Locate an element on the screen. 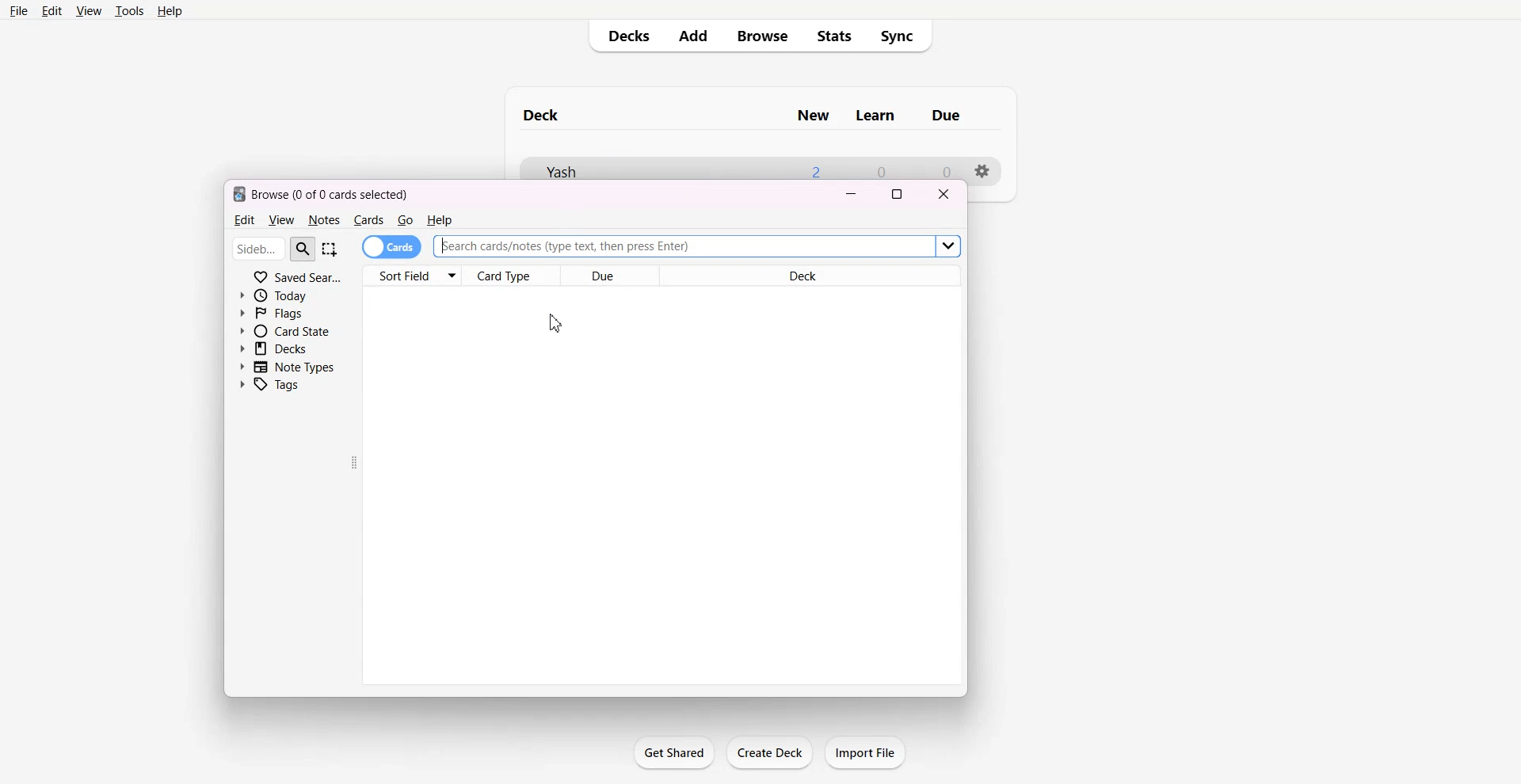 Image resolution: width=1521 pixels, height=784 pixels. New is located at coordinates (807, 112).